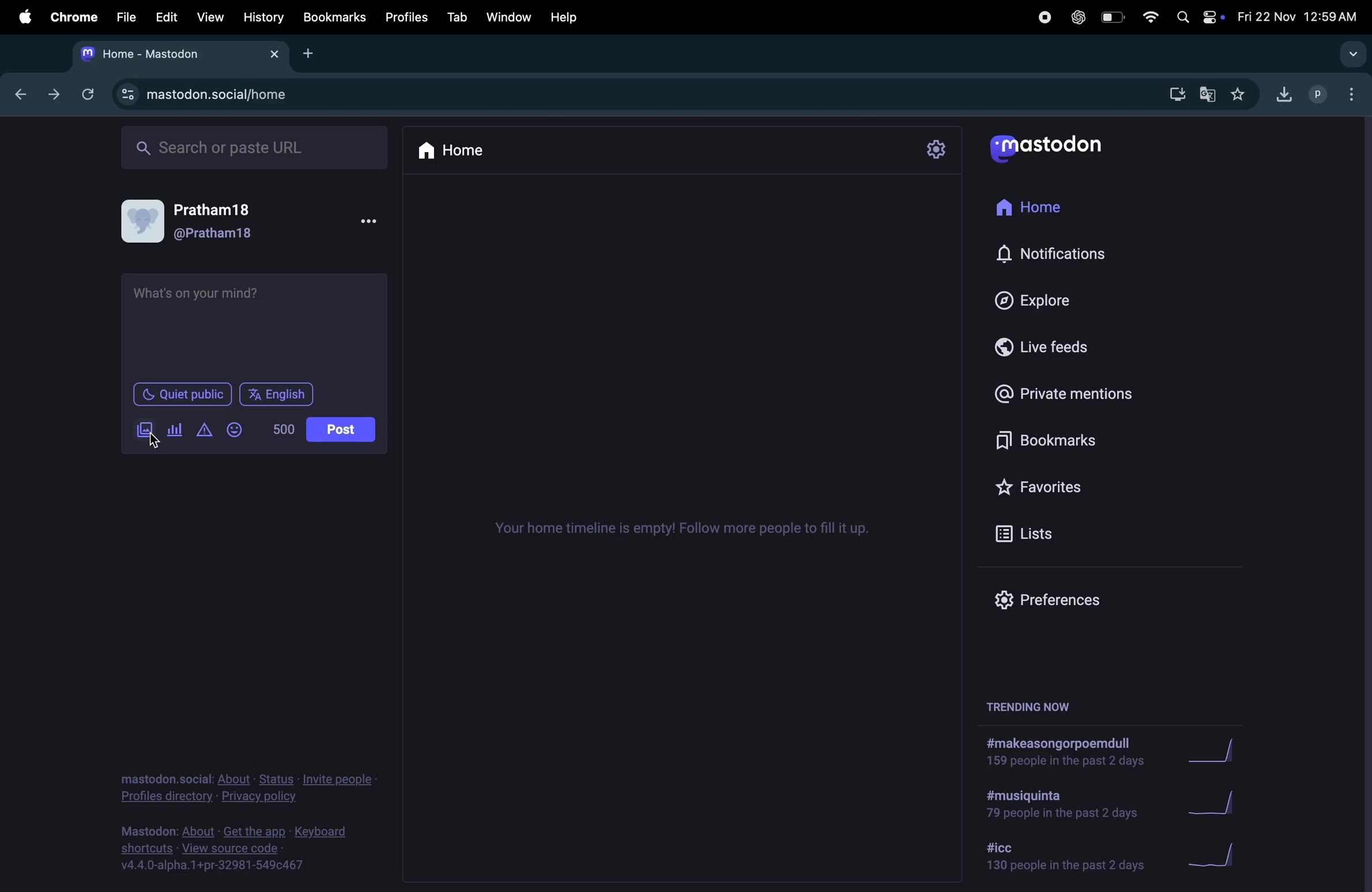 This screenshot has height=892, width=1372. What do you see at coordinates (258, 797) in the screenshot?
I see `privacy and policy` at bounding box center [258, 797].